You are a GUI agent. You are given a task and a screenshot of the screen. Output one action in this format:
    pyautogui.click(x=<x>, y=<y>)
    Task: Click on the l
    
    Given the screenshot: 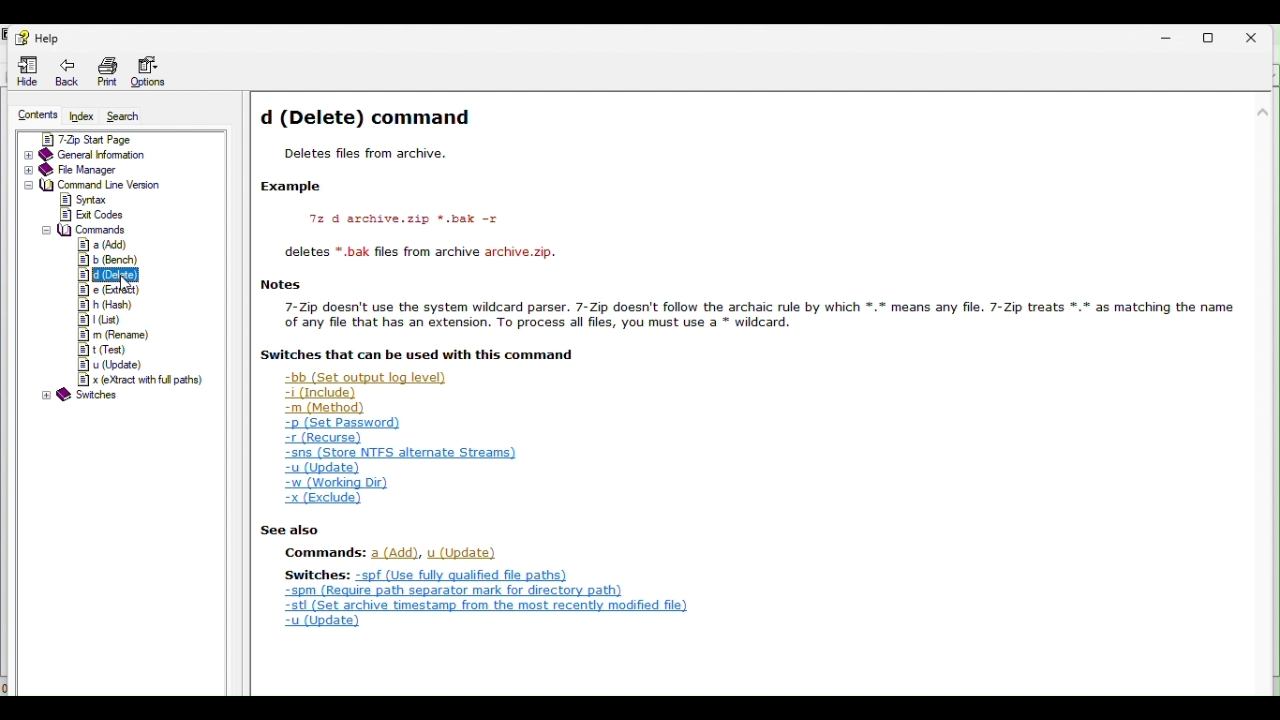 What is the action you would take?
    pyautogui.click(x=105, y=321)
    